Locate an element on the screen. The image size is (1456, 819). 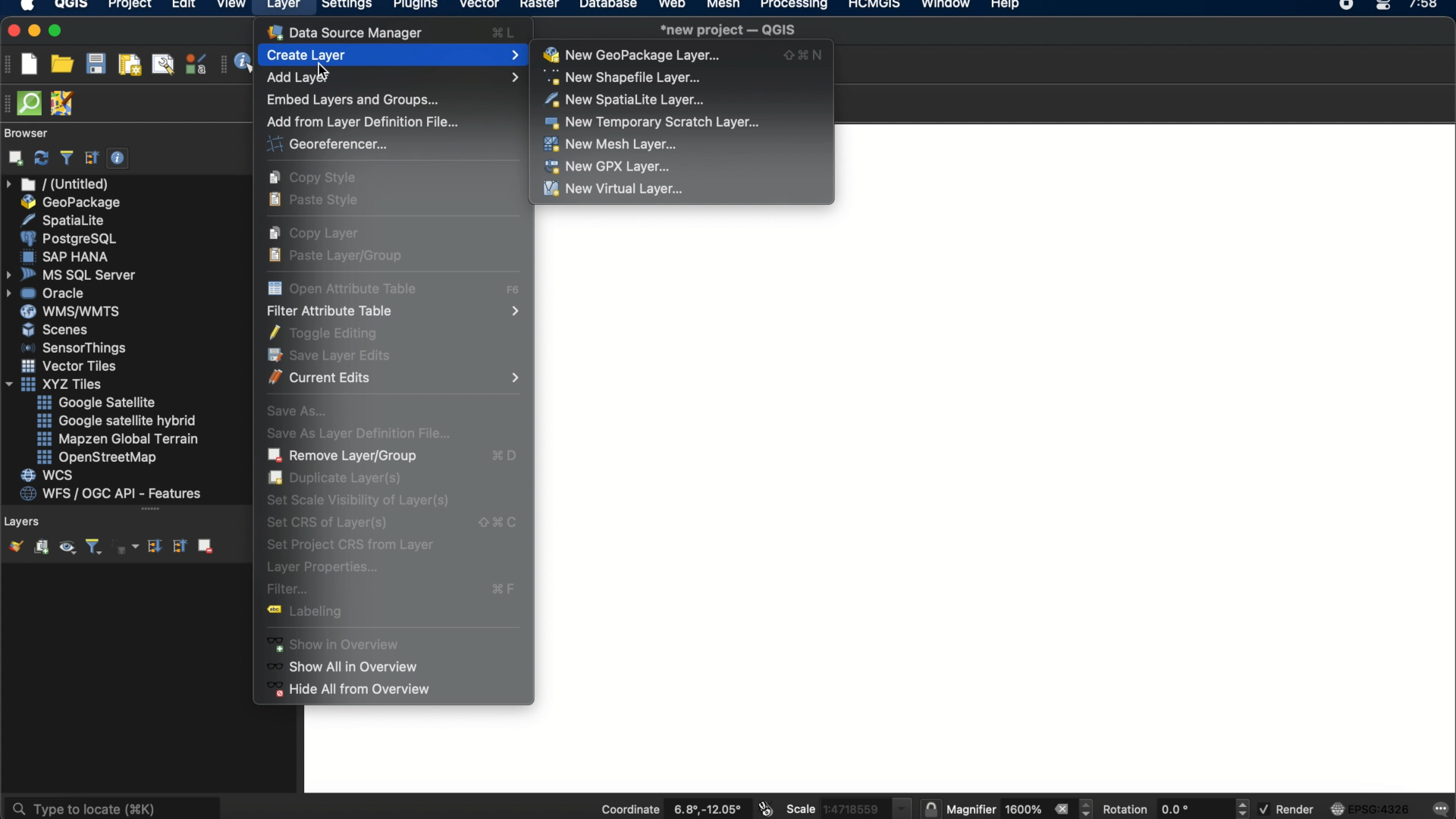
new shapefile layer is located at coordinates (624, 77).